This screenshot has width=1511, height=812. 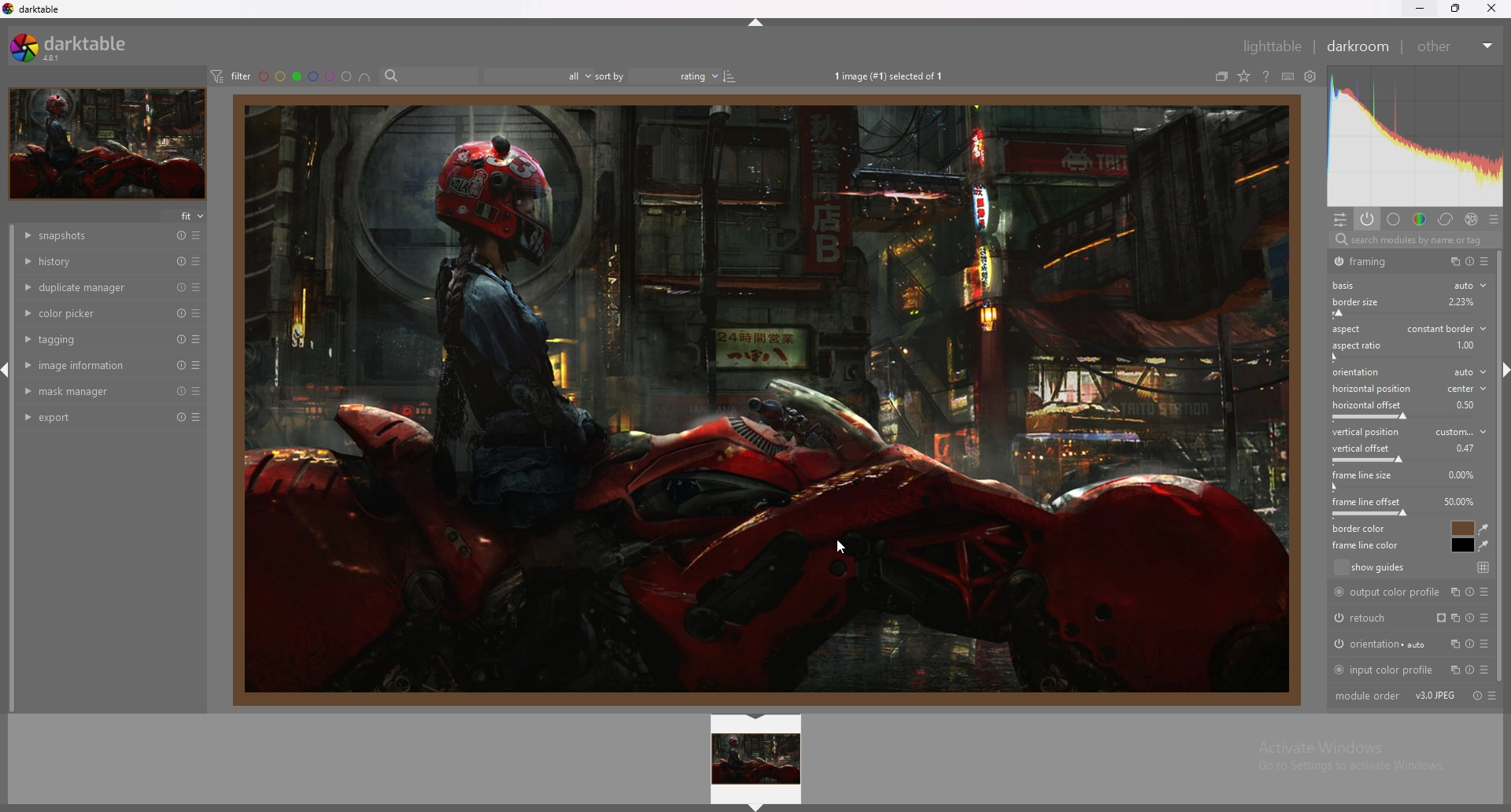 I want to click on , so click(x=1465, y=301).